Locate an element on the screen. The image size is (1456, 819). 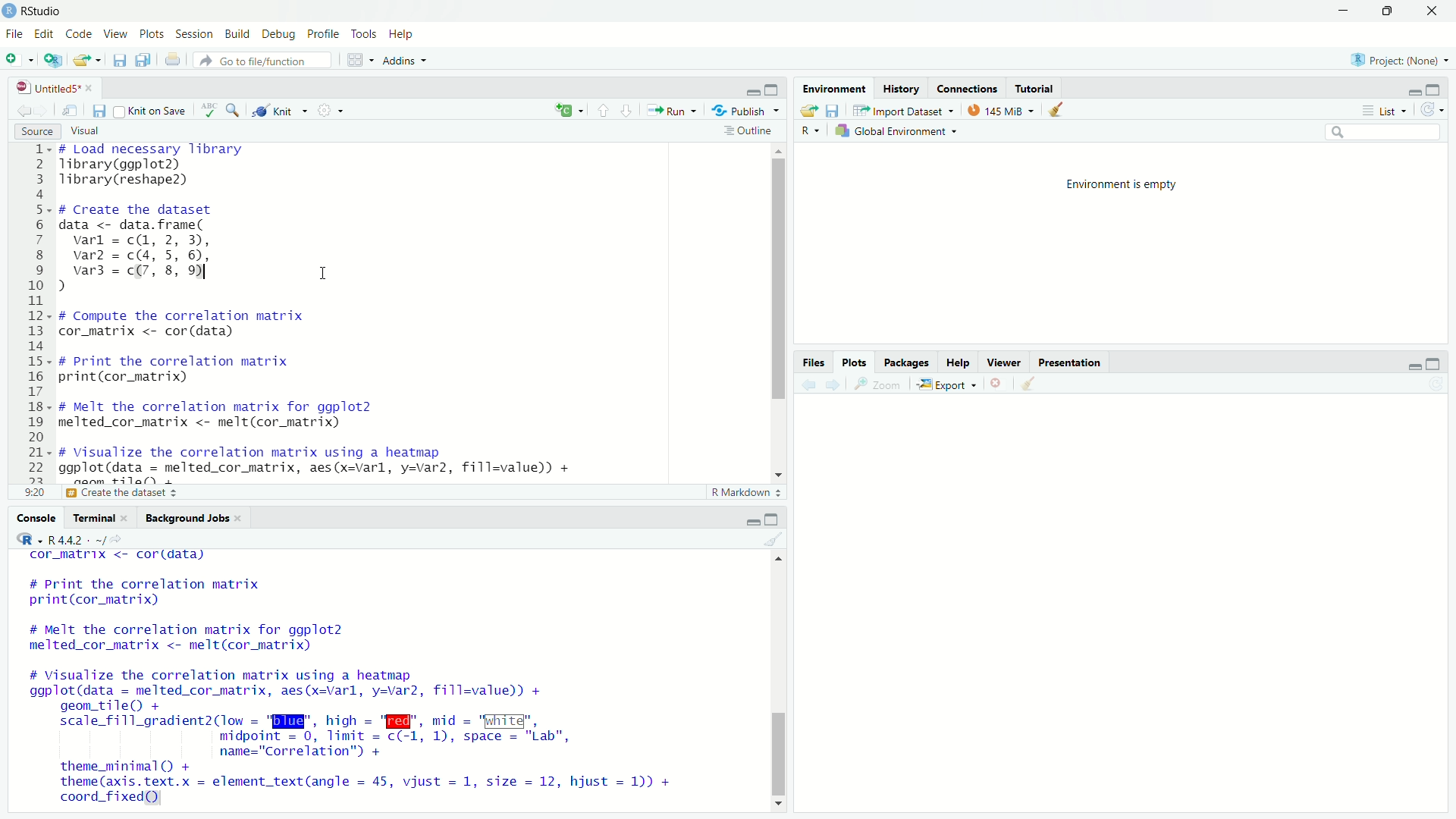
zoom is located at coordinates (881, 384).